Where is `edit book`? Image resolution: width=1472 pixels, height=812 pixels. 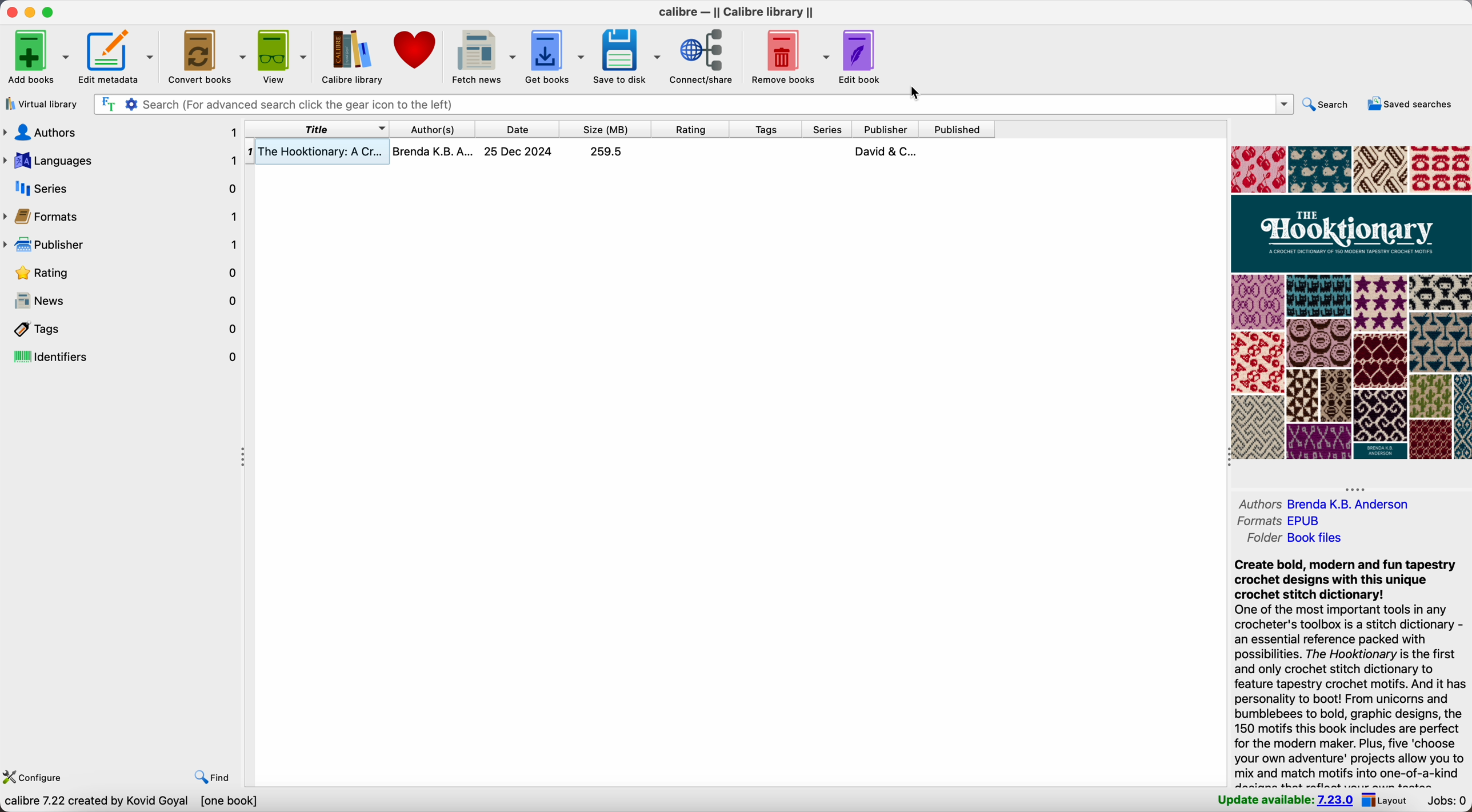 edit book is located at coordinates (862, 58).